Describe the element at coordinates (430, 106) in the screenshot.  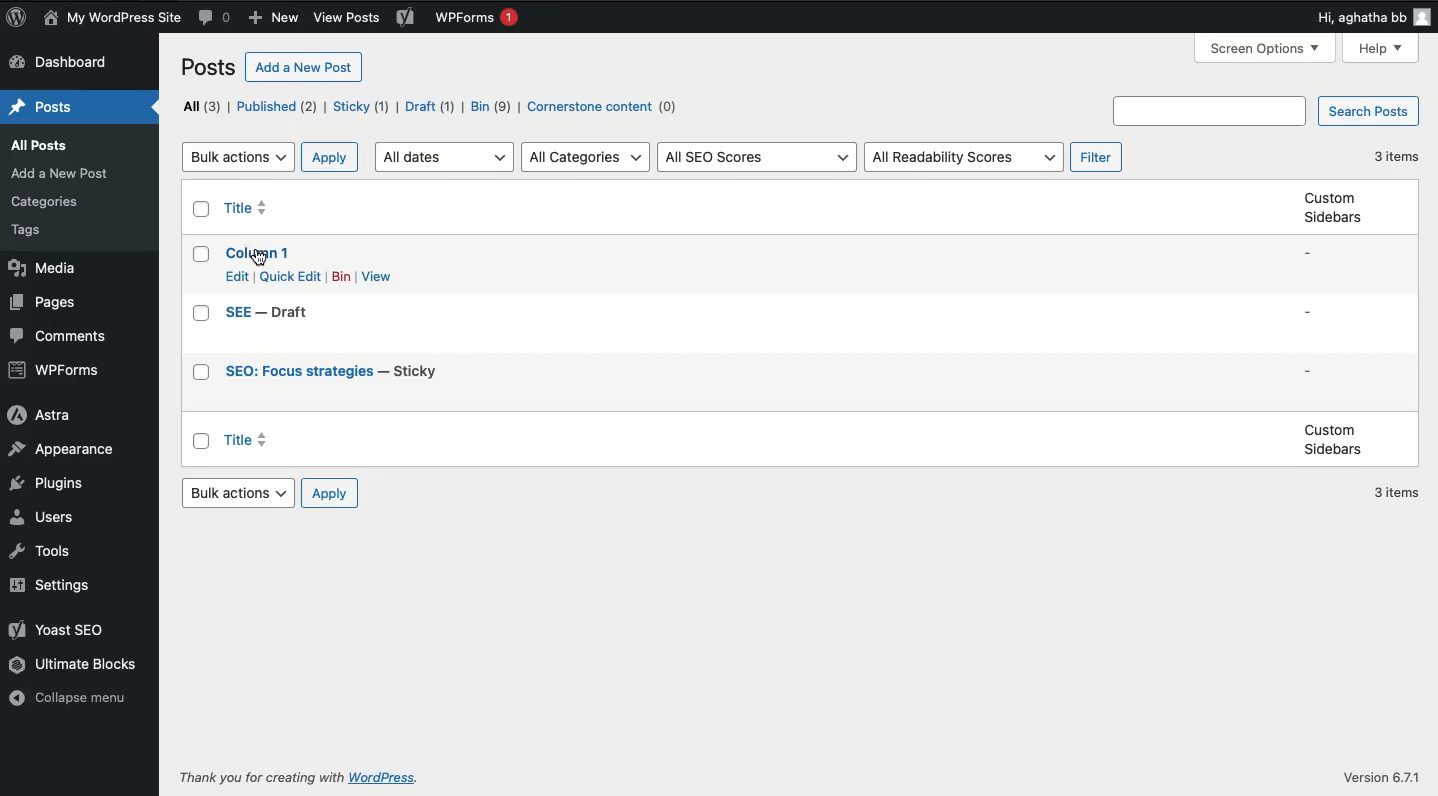
I see `Draft` at that location.